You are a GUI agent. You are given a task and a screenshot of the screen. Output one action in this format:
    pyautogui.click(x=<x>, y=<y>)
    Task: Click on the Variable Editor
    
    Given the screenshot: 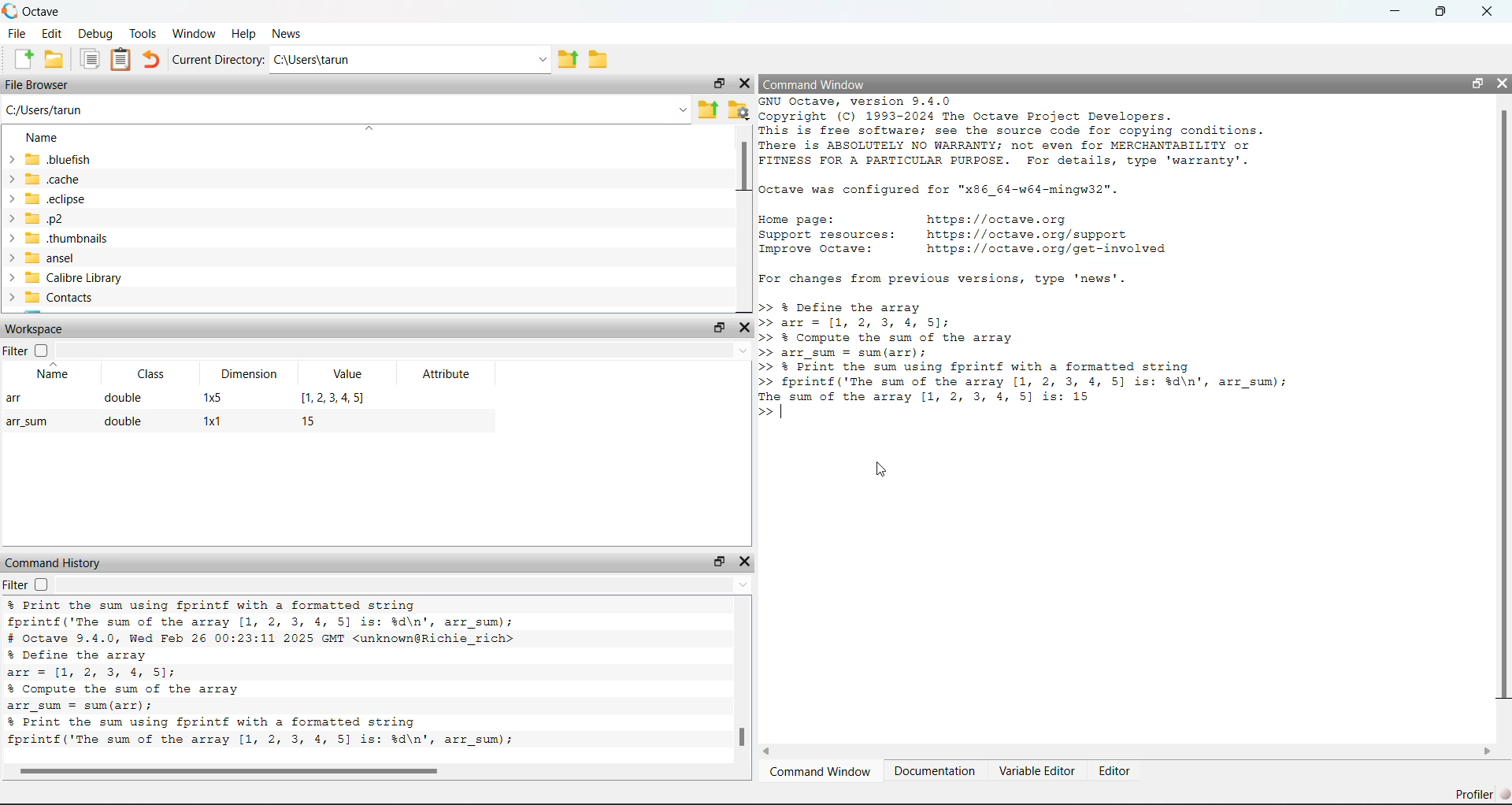 What is the action you would take?
    pyautogui.click(x=1037, y=772)
    